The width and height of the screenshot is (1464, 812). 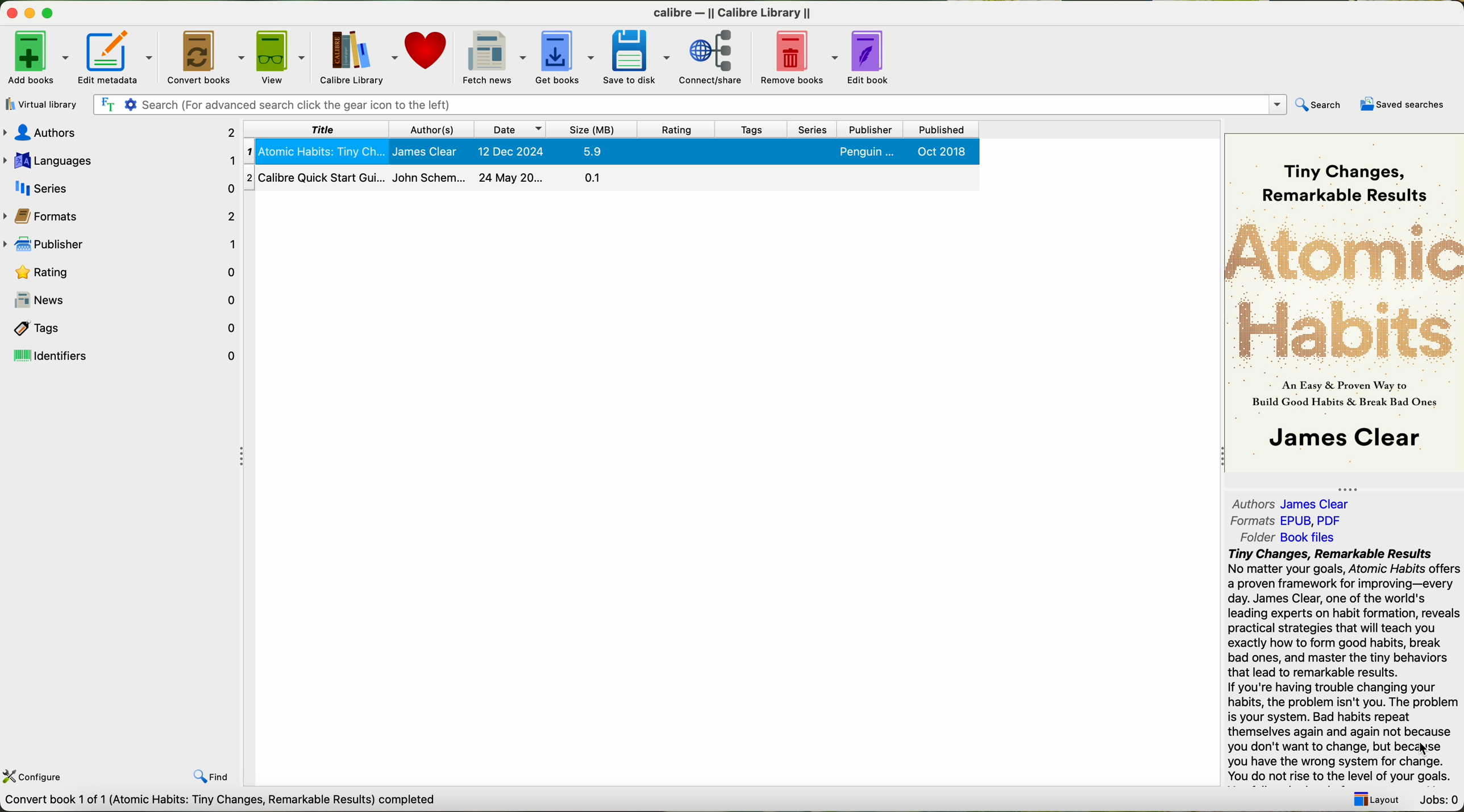 What do you see at coordinates (1282, 521) in the screenshot?
I see `formats` at bounding box center [1282, 521].